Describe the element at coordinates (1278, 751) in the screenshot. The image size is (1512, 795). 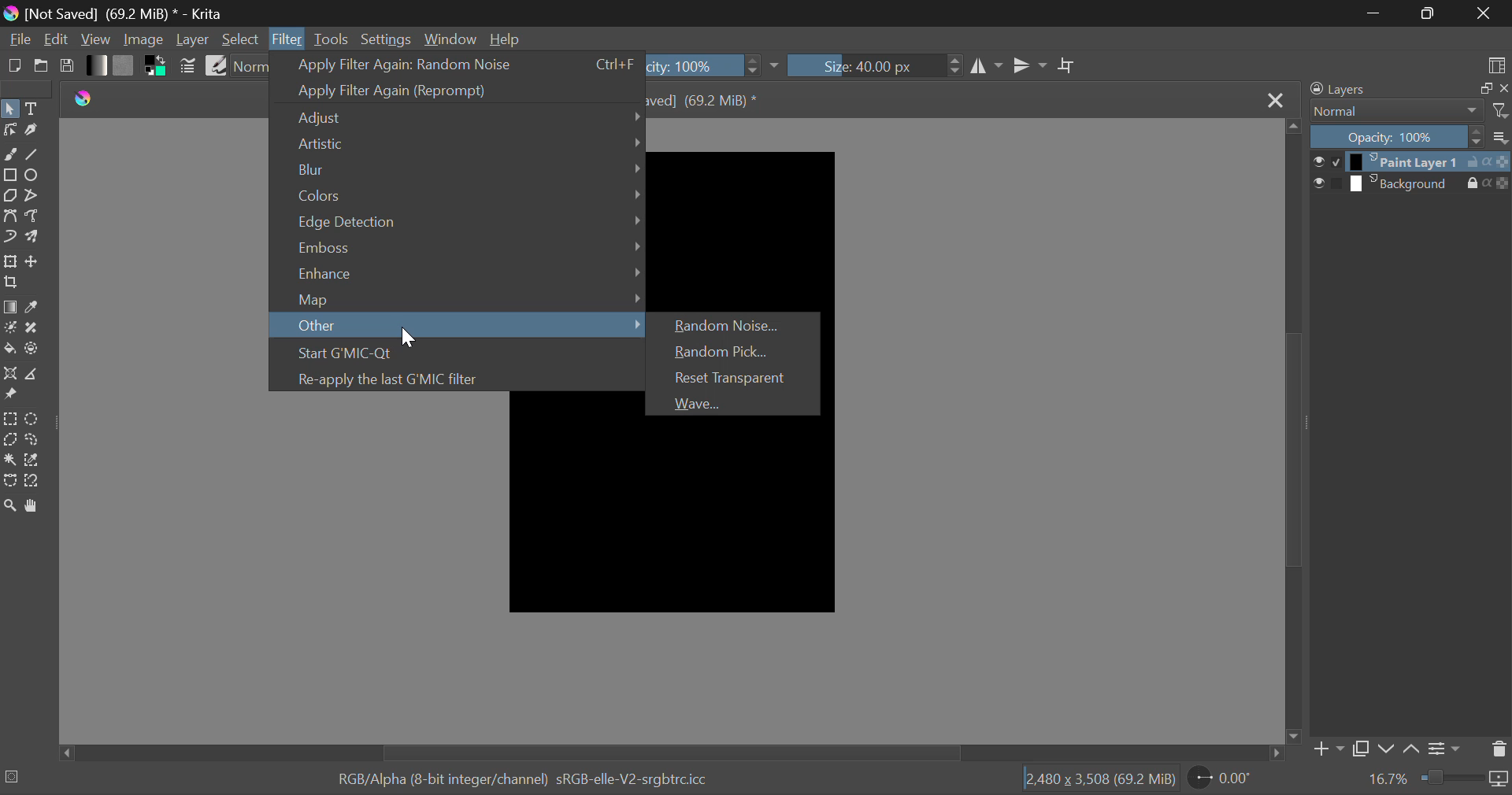
I see `move right` at that location.